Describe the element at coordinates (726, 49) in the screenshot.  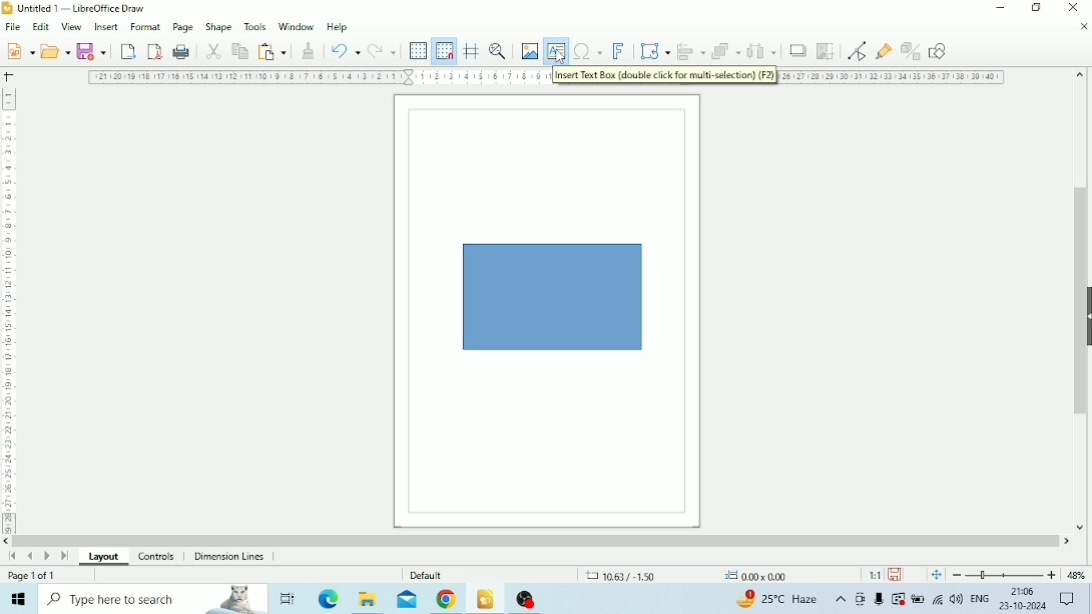
I see `Arrange` at that location.